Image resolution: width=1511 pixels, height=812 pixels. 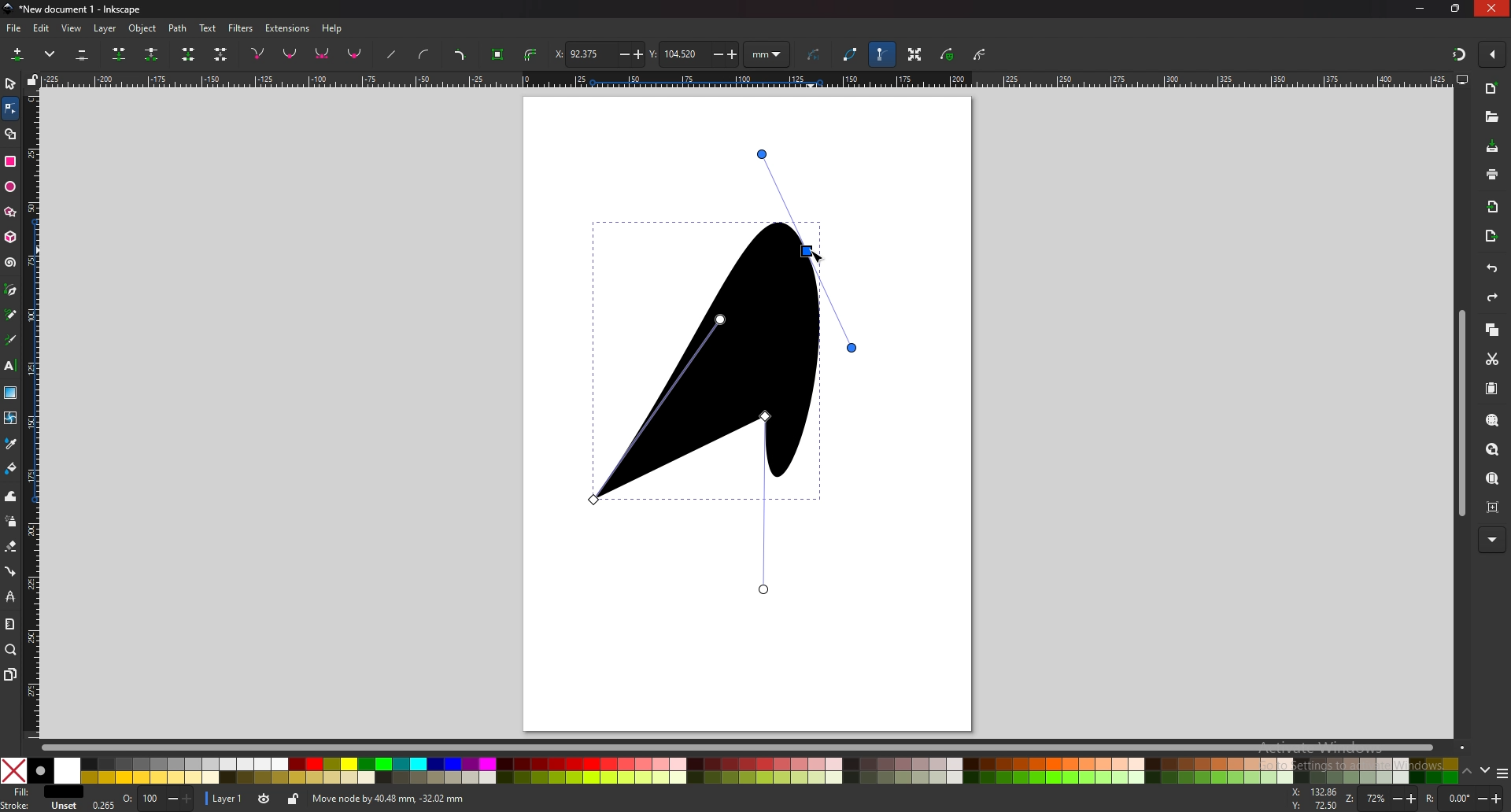 I want to click on text, so click(x=10, y=365).